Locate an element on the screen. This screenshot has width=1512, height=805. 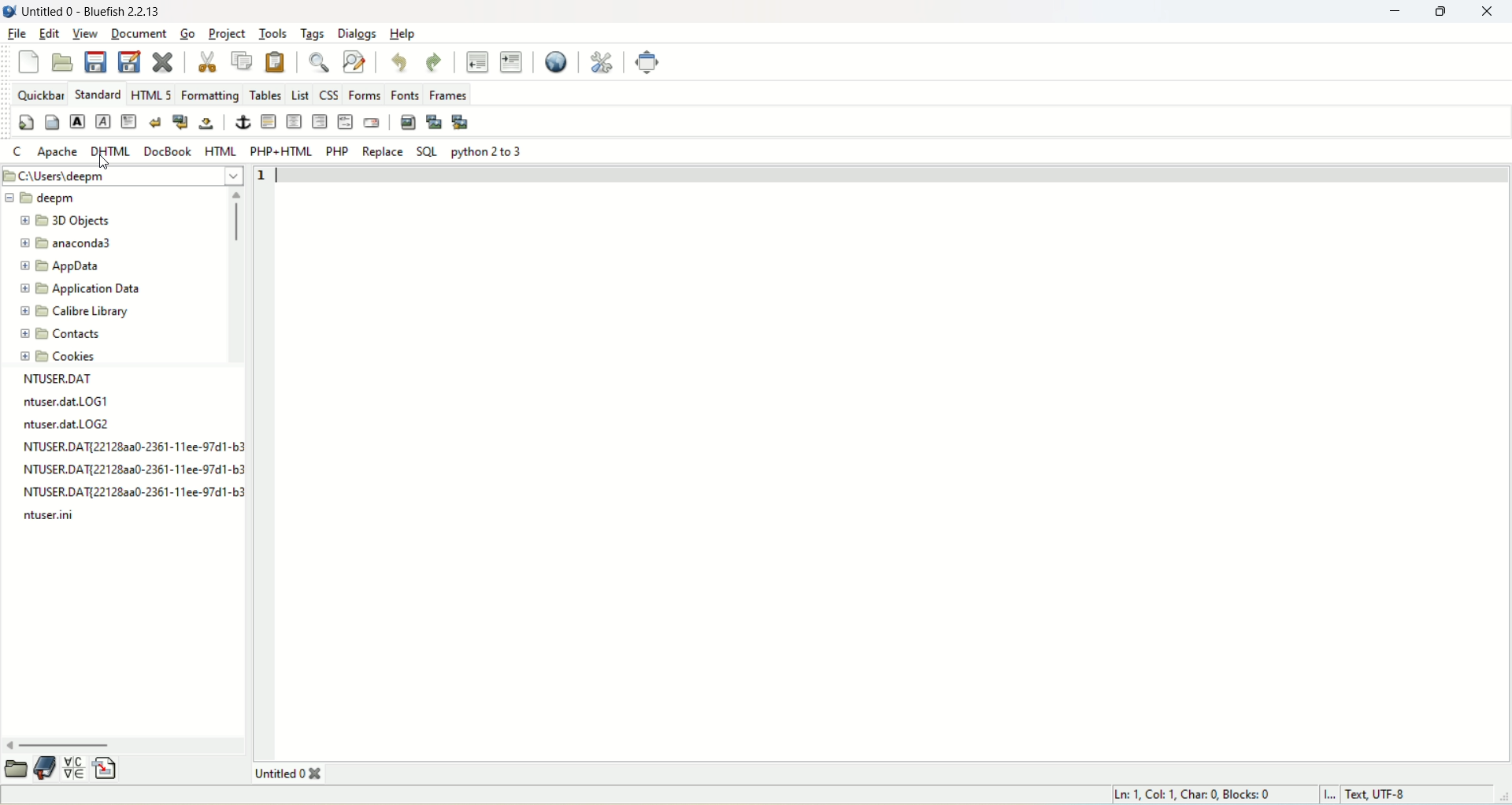
file is located at coordinates (13, 33).